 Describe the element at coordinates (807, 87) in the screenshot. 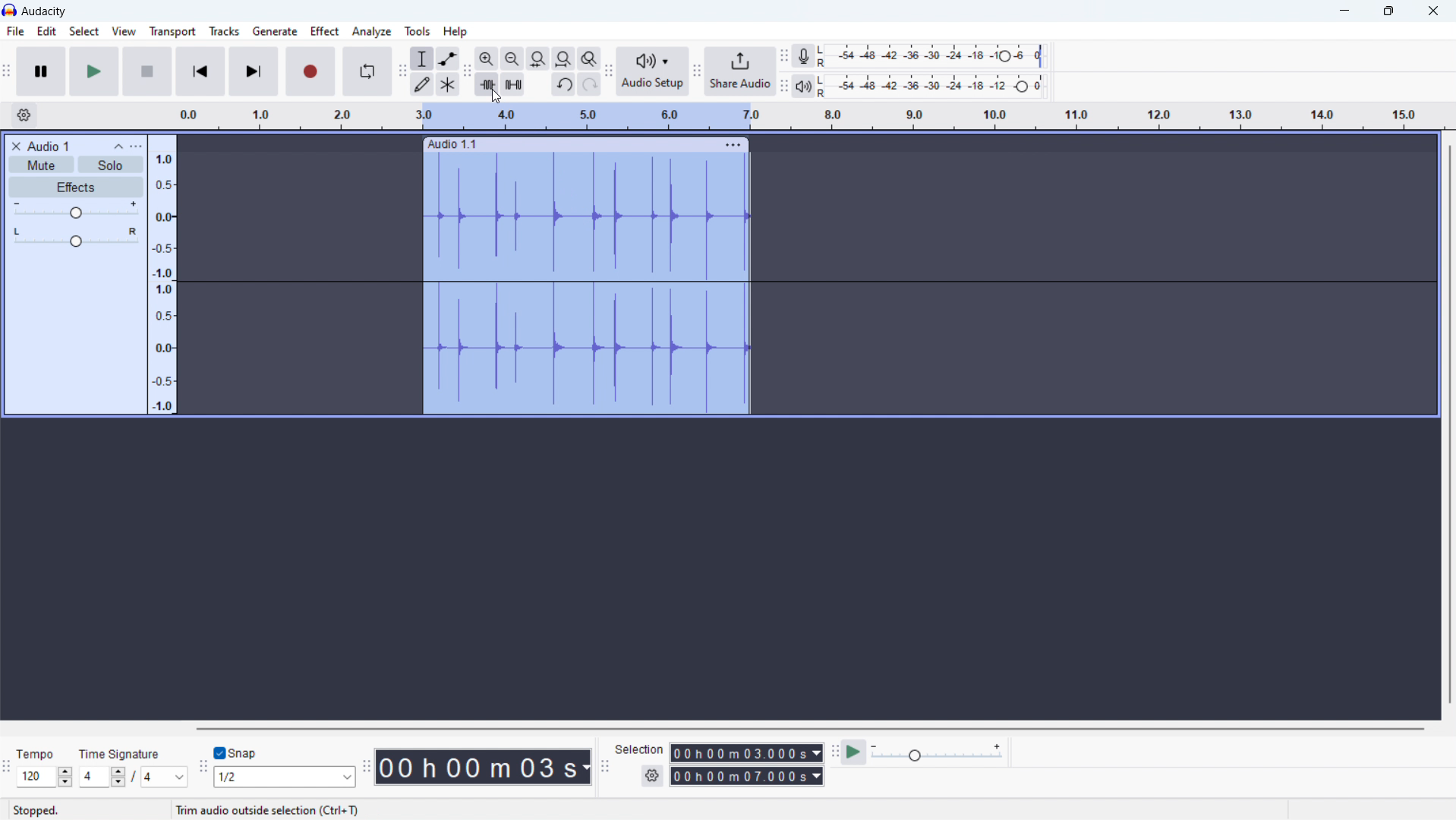

I see `playback meter` at that location.